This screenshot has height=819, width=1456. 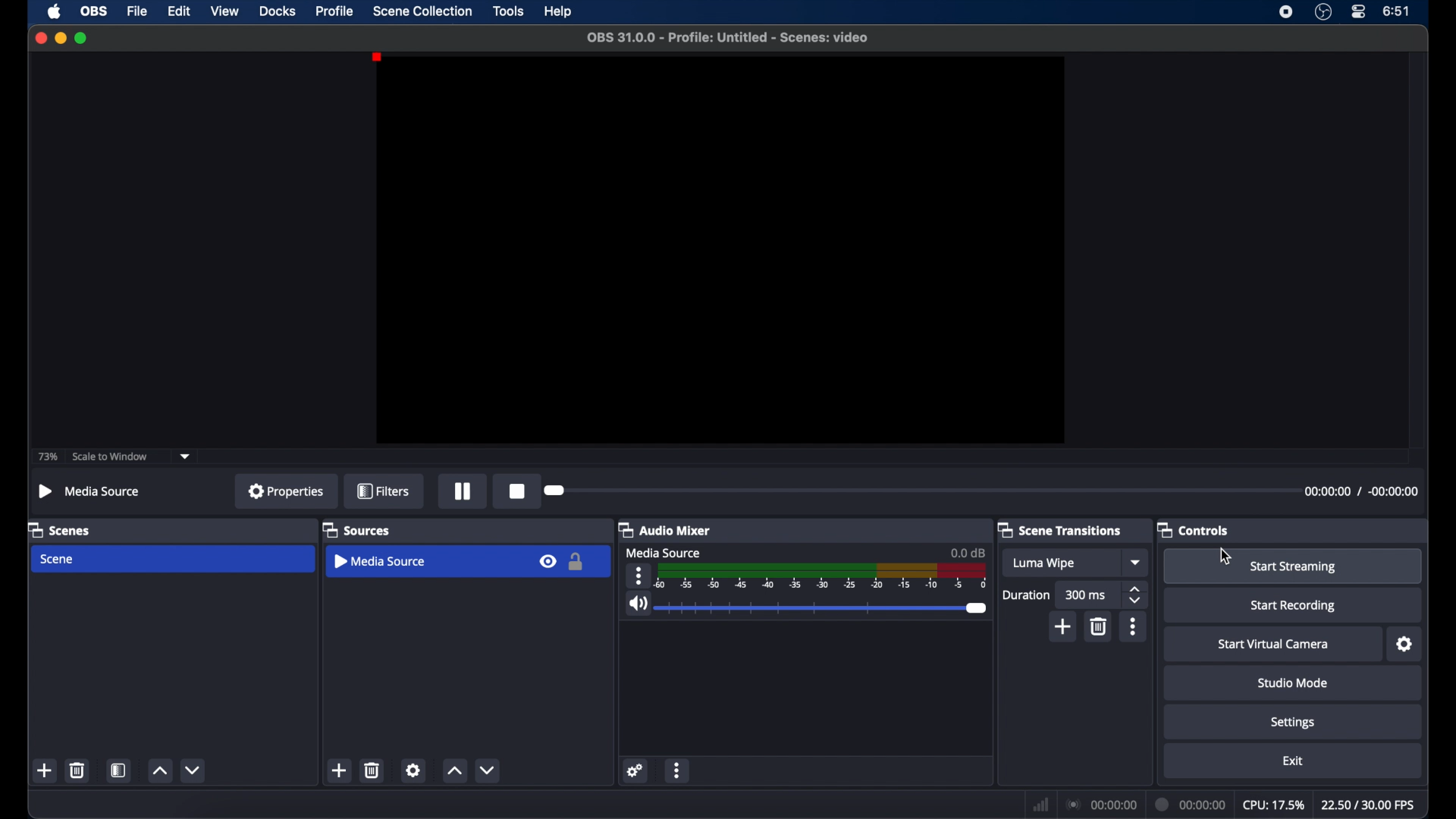 What do you see at coordinates (824, 608) in the screenshot?
I see `slider` at bounding box center [824, 608].